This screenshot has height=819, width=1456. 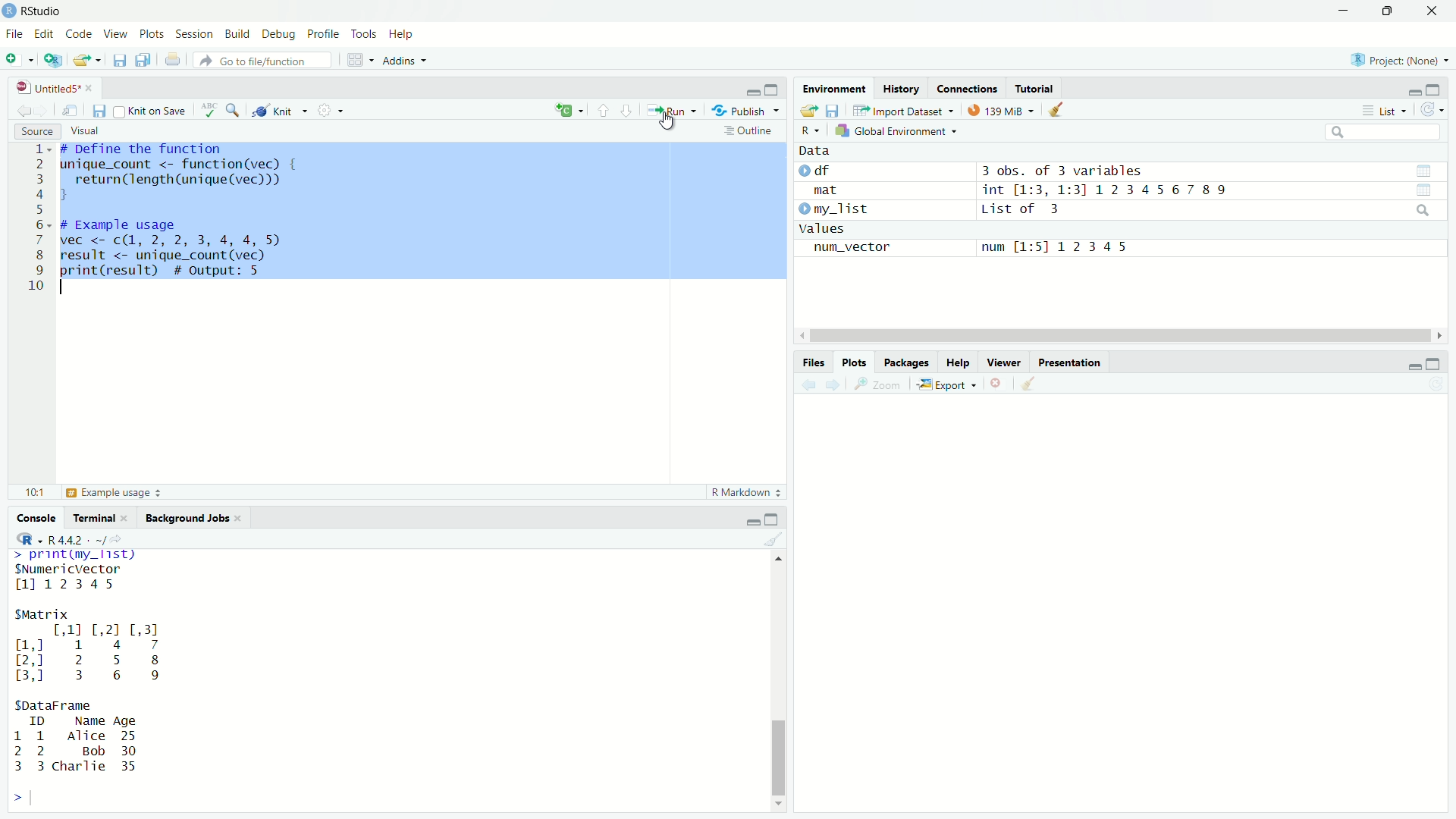 I want to click on cursor, so click(x=667, y=124).